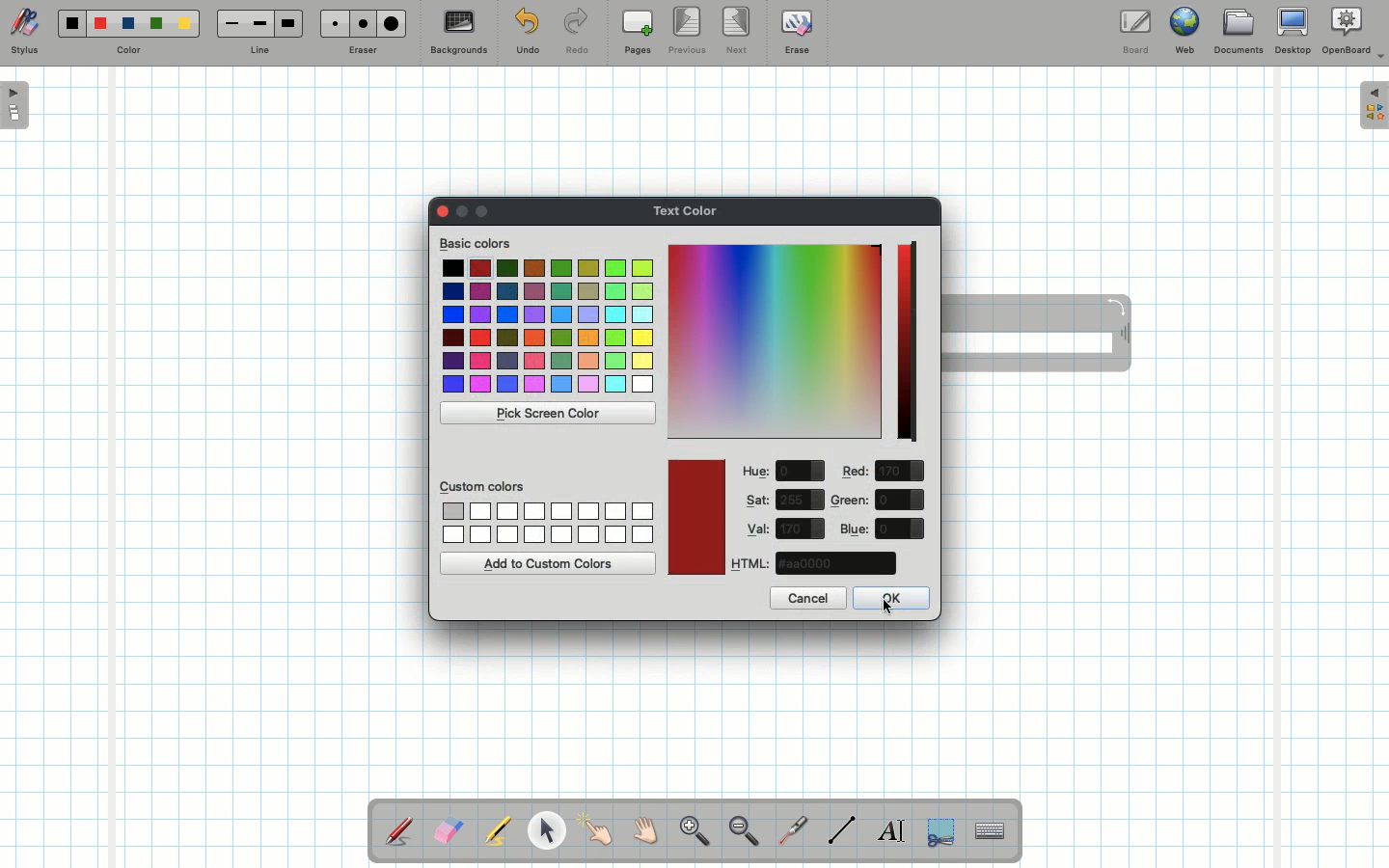 The image size is (1389, 868). What do you see at coordinates (1134, 32) in the screenshot?
I see `Board` at bounding box center [1134, 32].